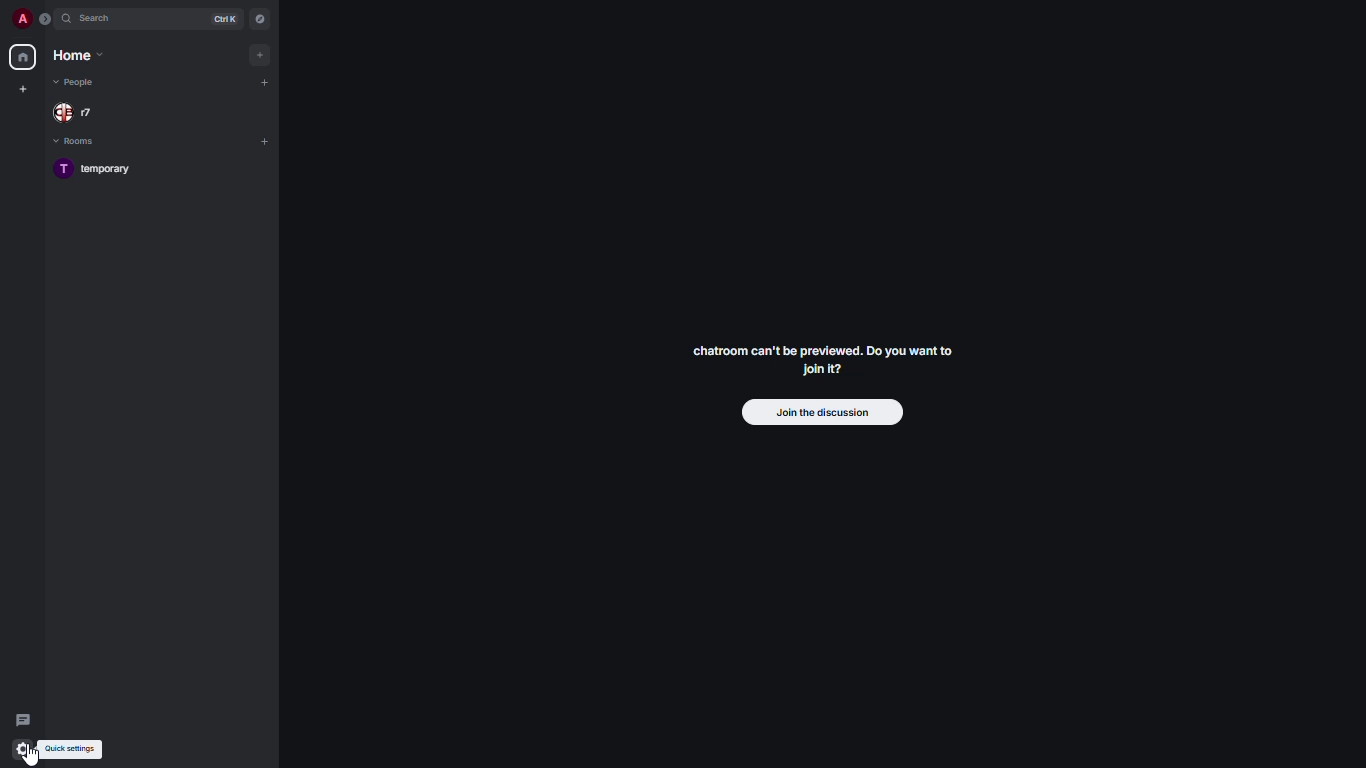 The width and height of the screenshot is (1366, 768). Describe the element at coordinates (824, 357) in the screenshot. I see `chatroom can't be previewed` at that location.